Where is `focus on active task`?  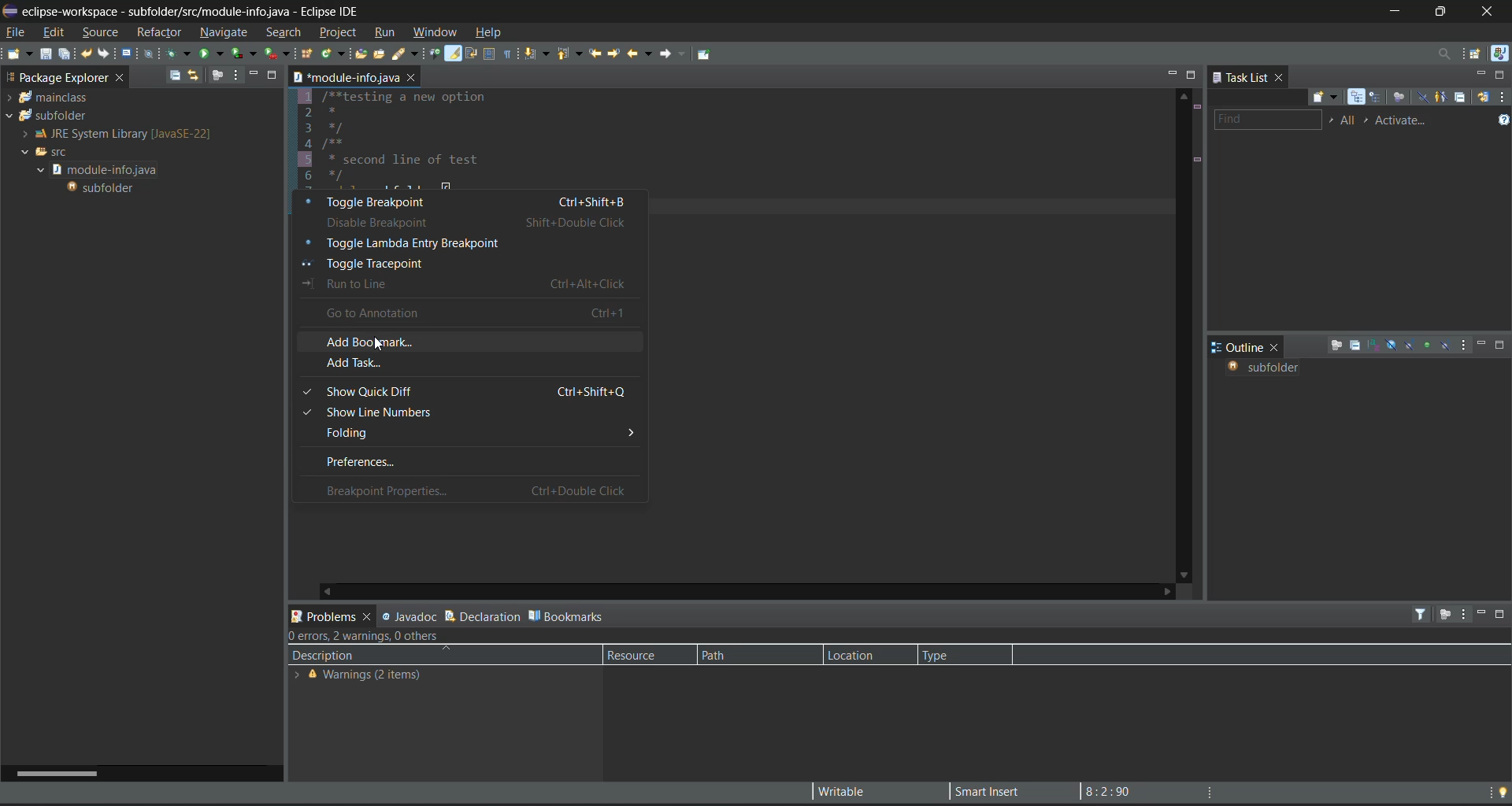
focus on active task is located at coordinates (1336, 346).